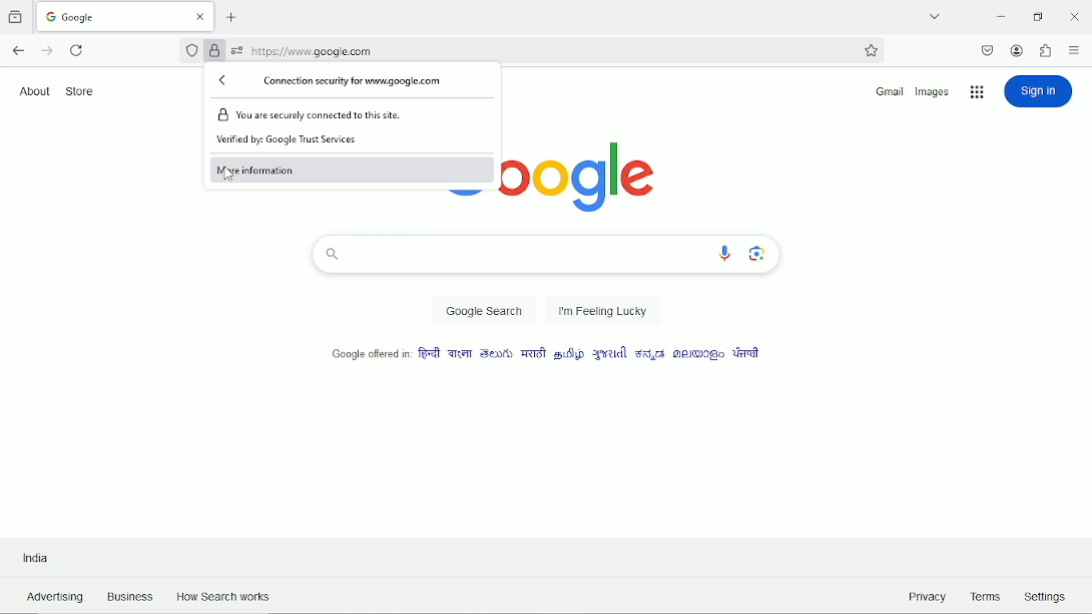 The image size is (1092, 614). I want to click on Gmail, so click(889, 92).